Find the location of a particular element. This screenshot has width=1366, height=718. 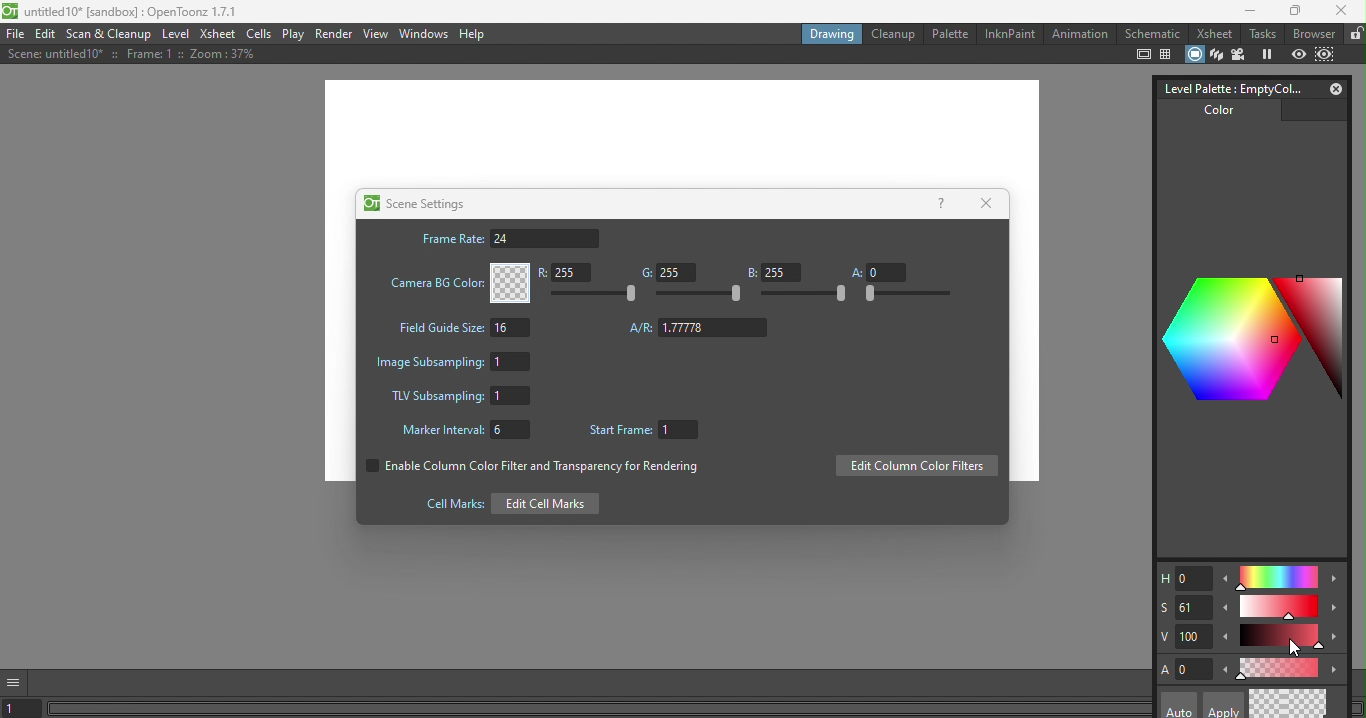

Apply is located at coordinates (1221, 705).